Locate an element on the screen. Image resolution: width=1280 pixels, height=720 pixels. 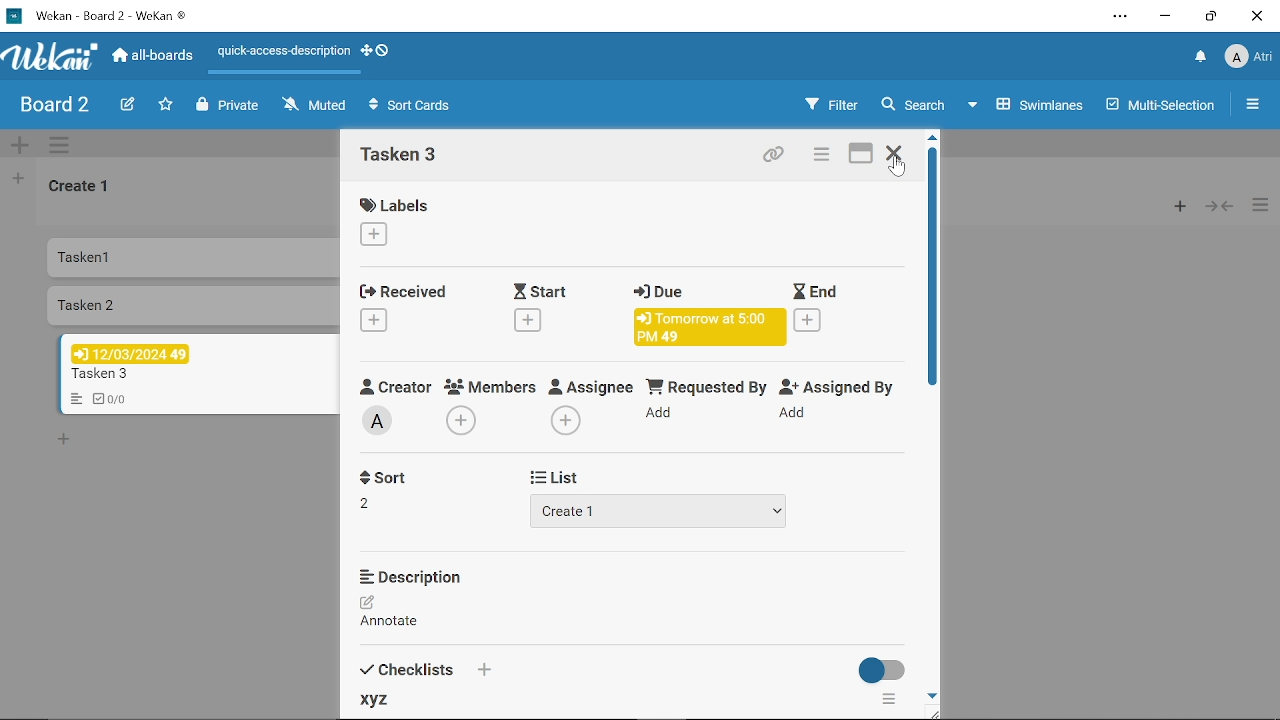
Atri is located at coordinates (1248, 57).